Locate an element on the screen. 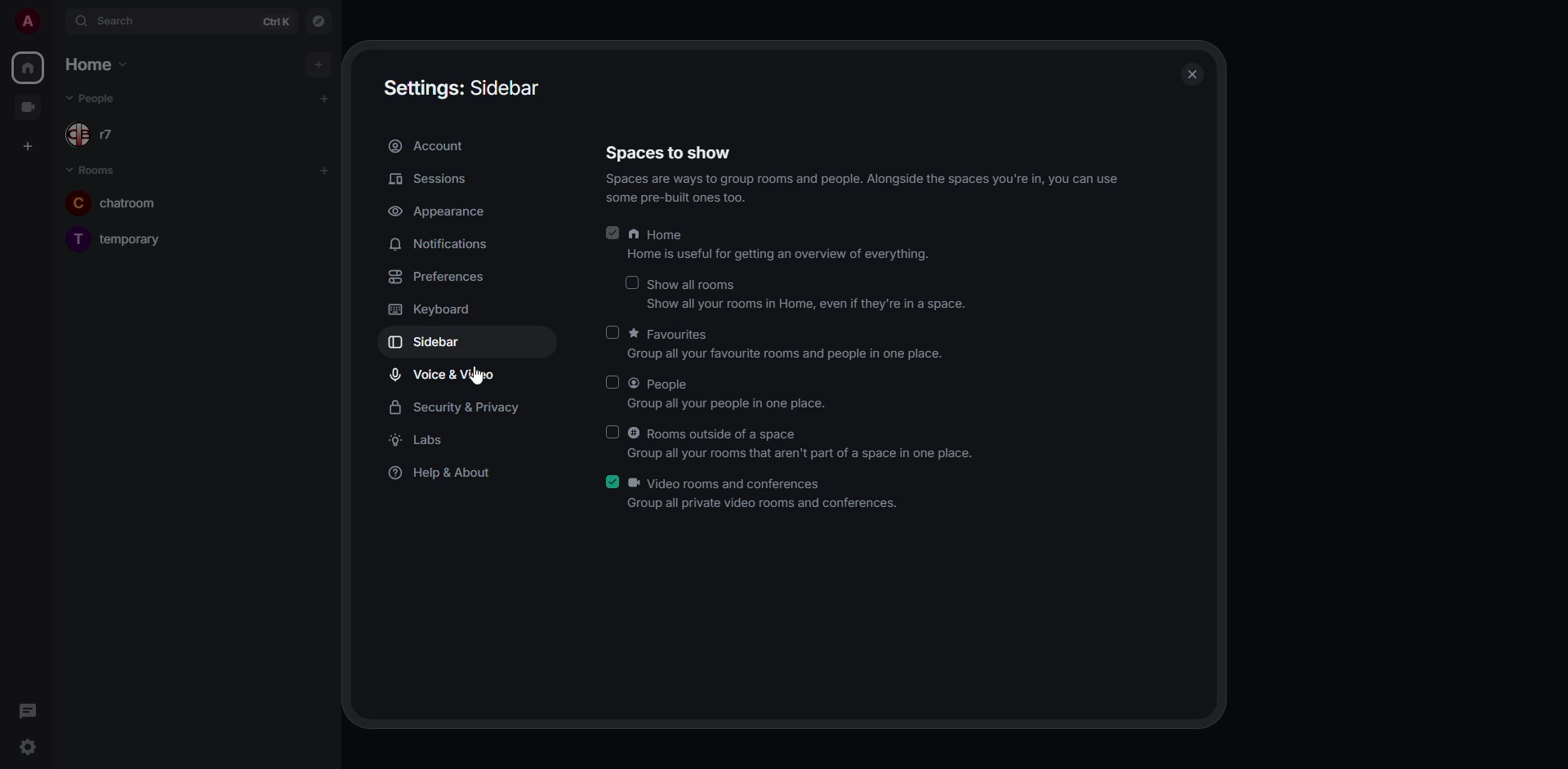  sessions is located at coordinates (432, 180).